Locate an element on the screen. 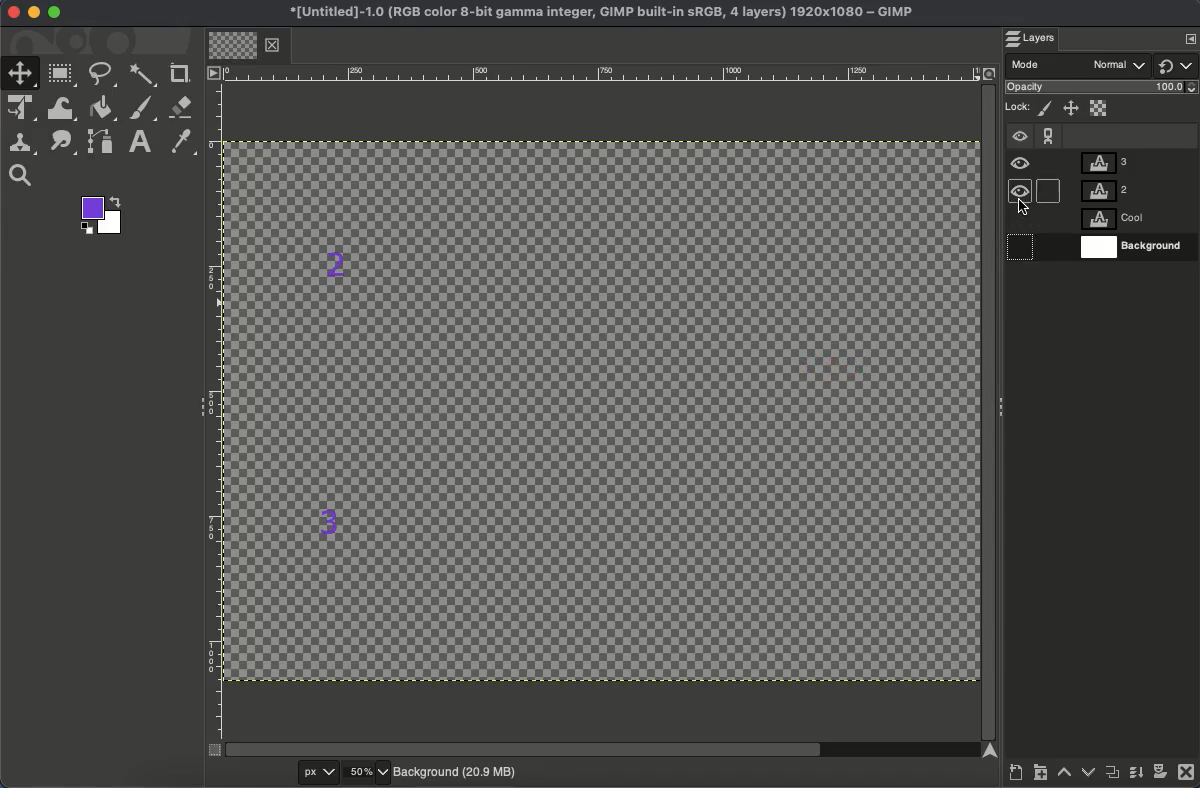  Lower layer is located at coordinates (1087, 775).